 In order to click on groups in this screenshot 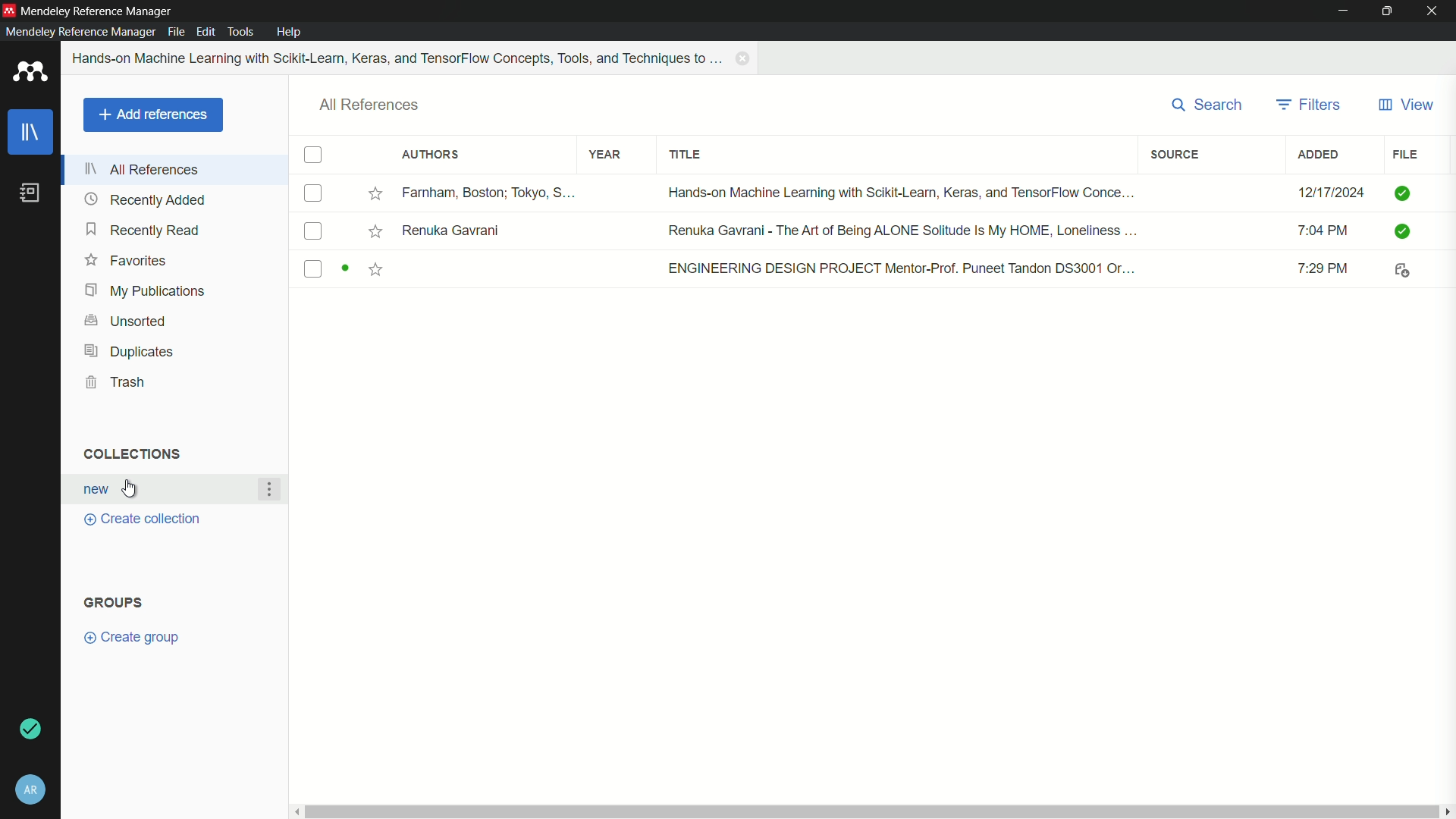, I will do `click(113, 603)`.